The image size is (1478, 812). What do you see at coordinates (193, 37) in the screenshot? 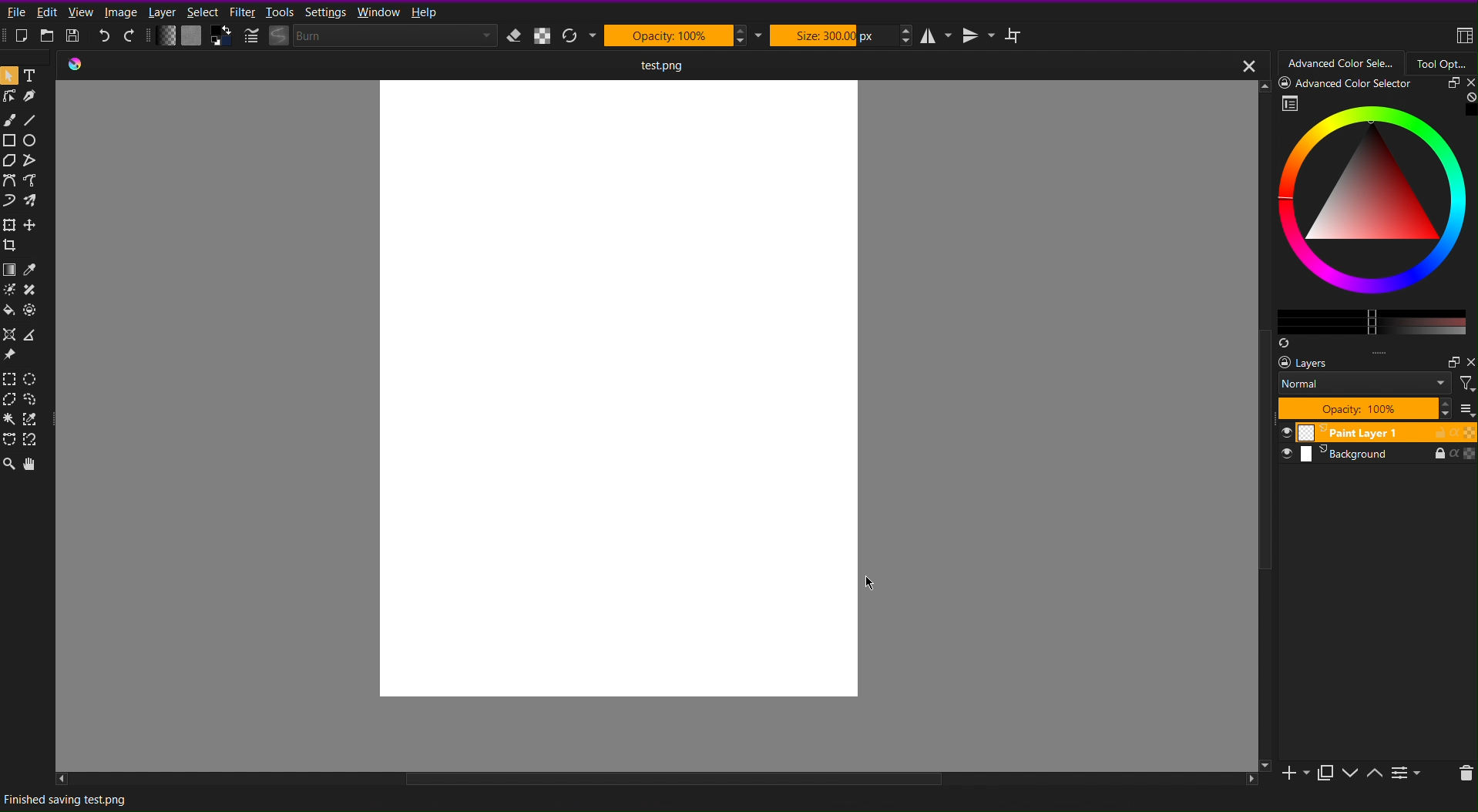
I see `Color Settings` at bounding box center [193, 37].